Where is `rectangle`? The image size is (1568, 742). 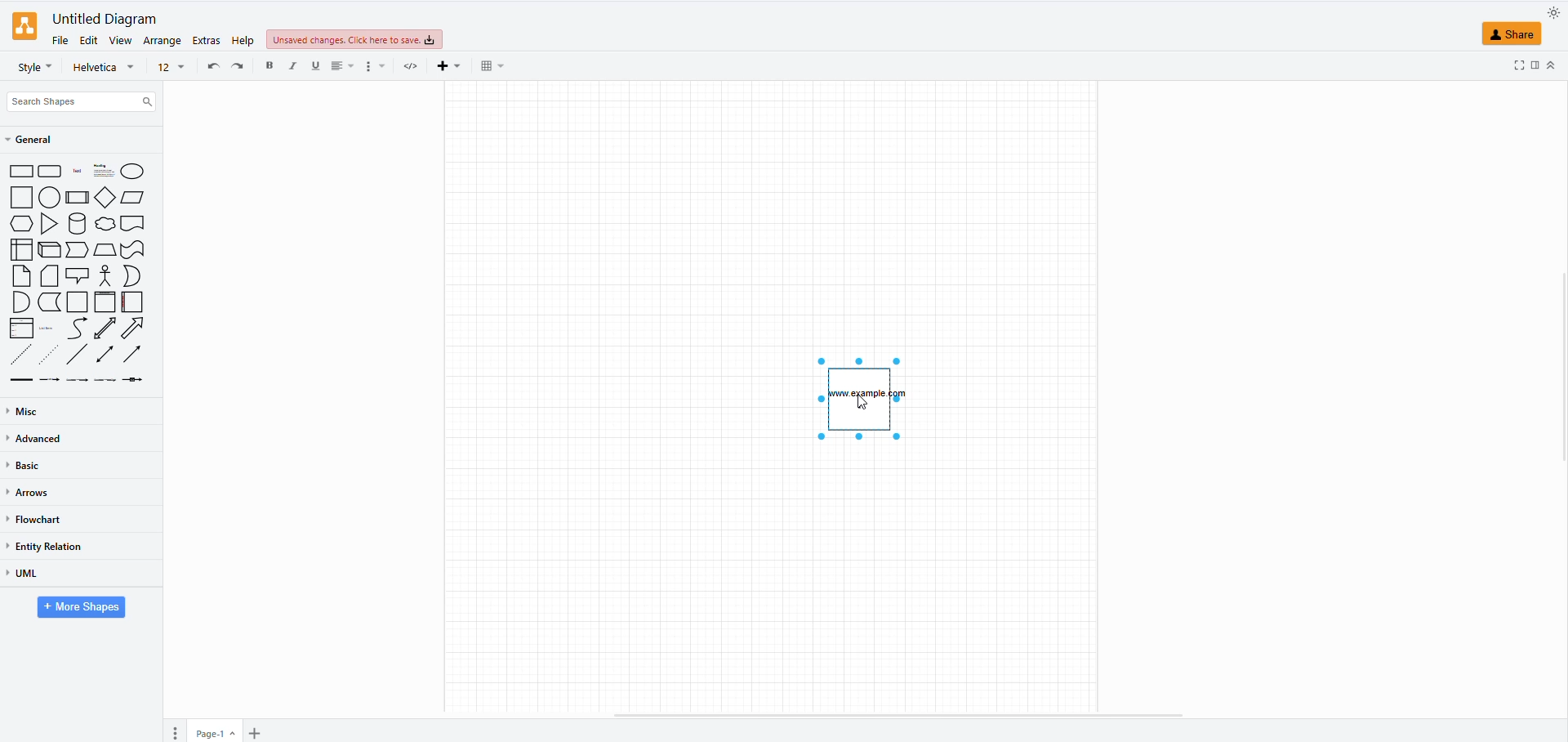
rectangle is located at coordinates (21, 172).